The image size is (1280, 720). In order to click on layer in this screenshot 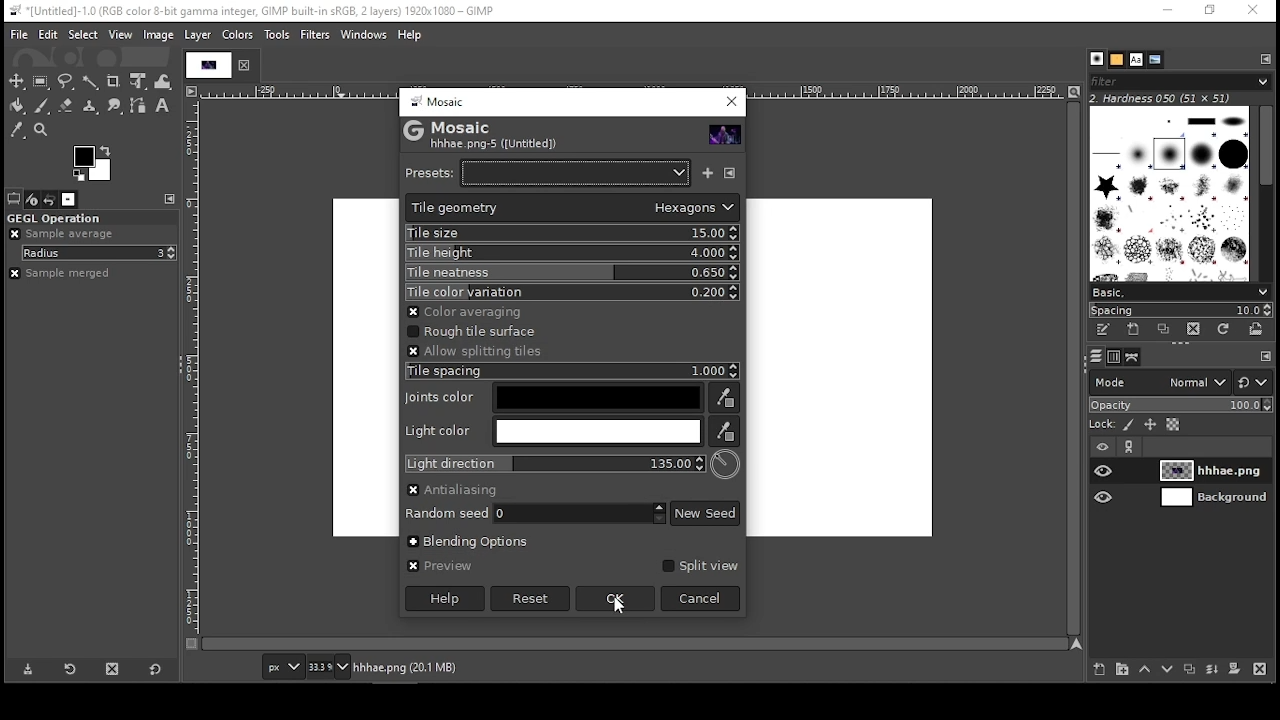, I will do `click(198, 34)`.